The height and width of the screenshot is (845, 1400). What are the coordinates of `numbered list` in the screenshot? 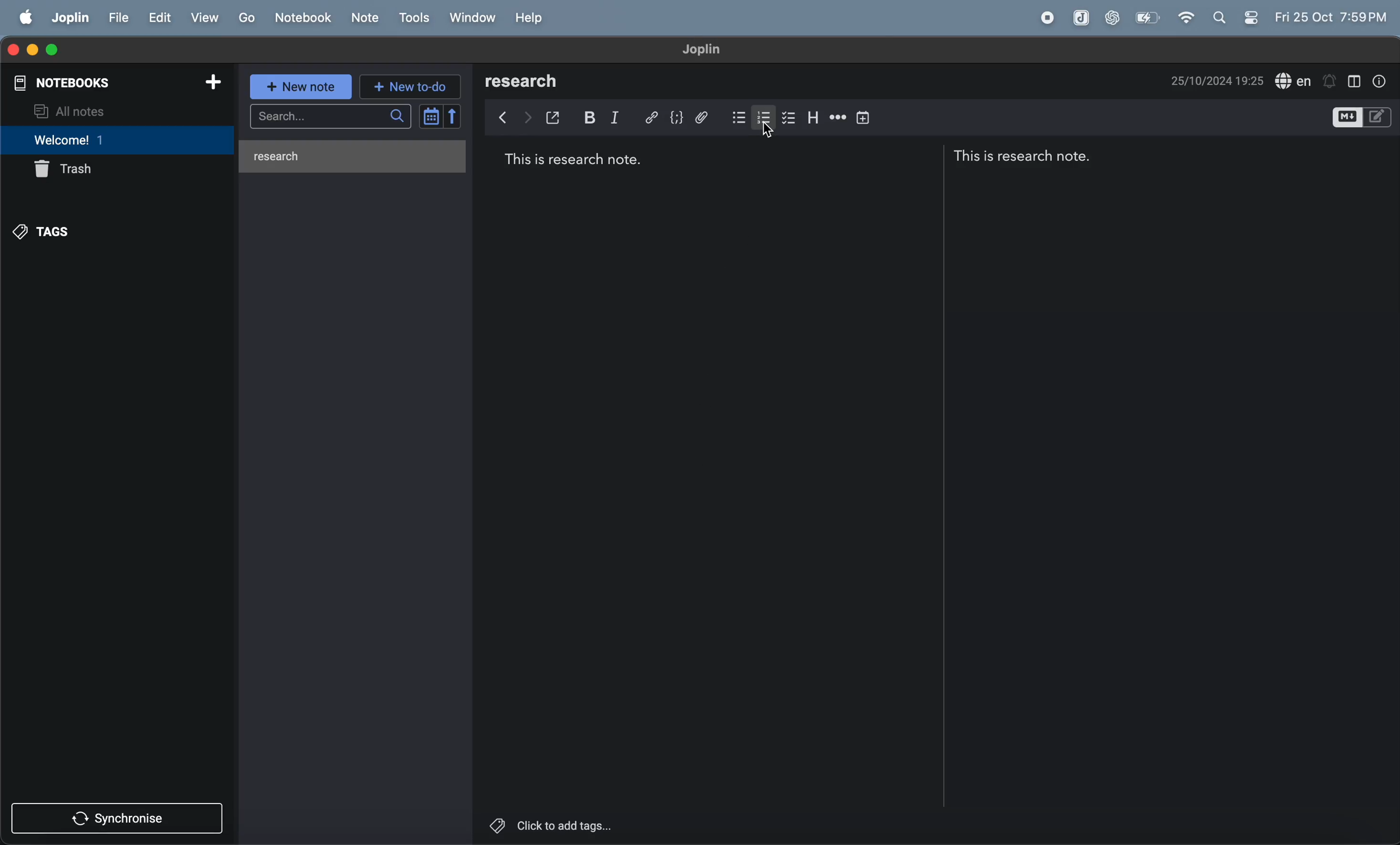 It's located at (767, 118).